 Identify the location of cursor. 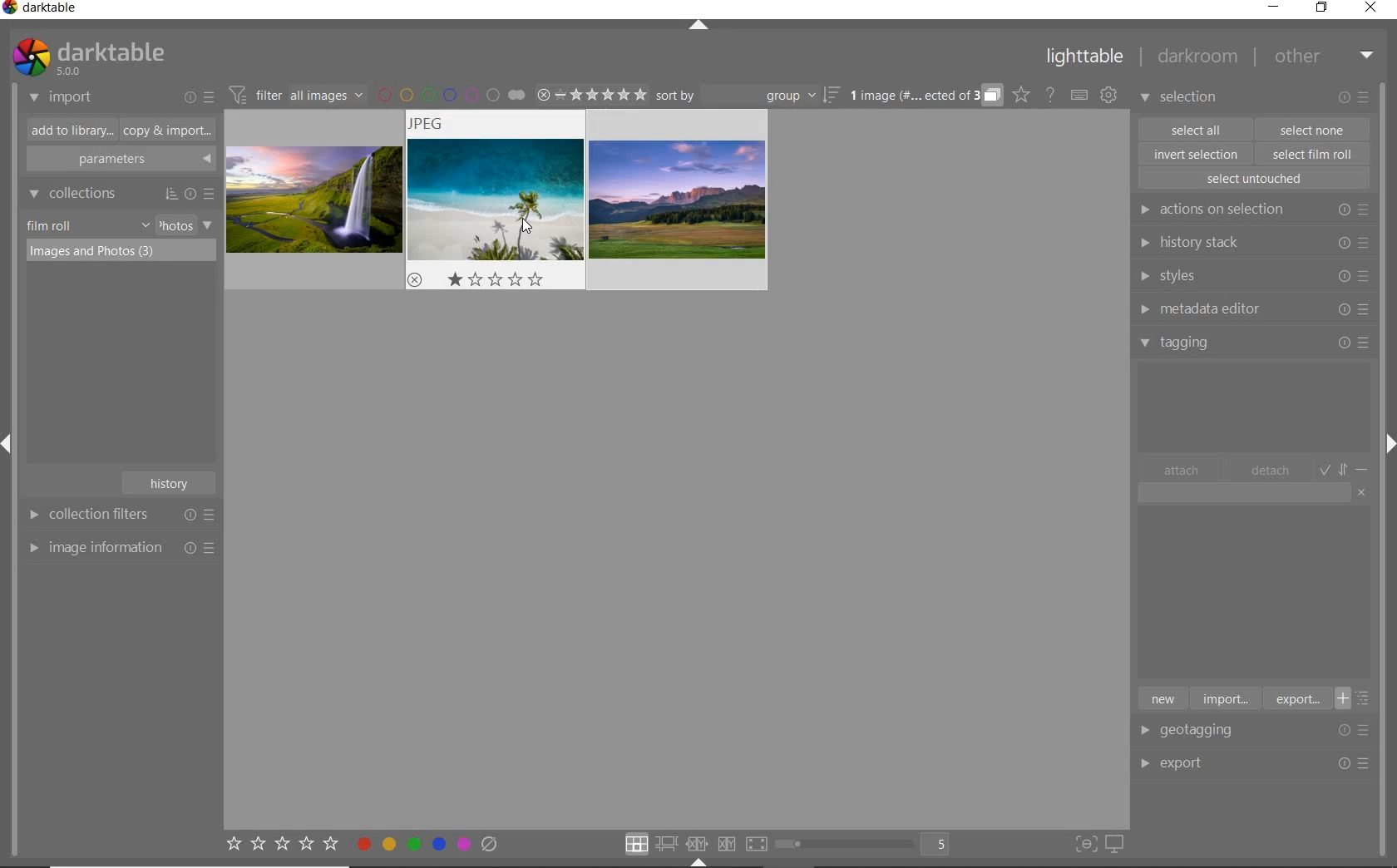
(533, 227).